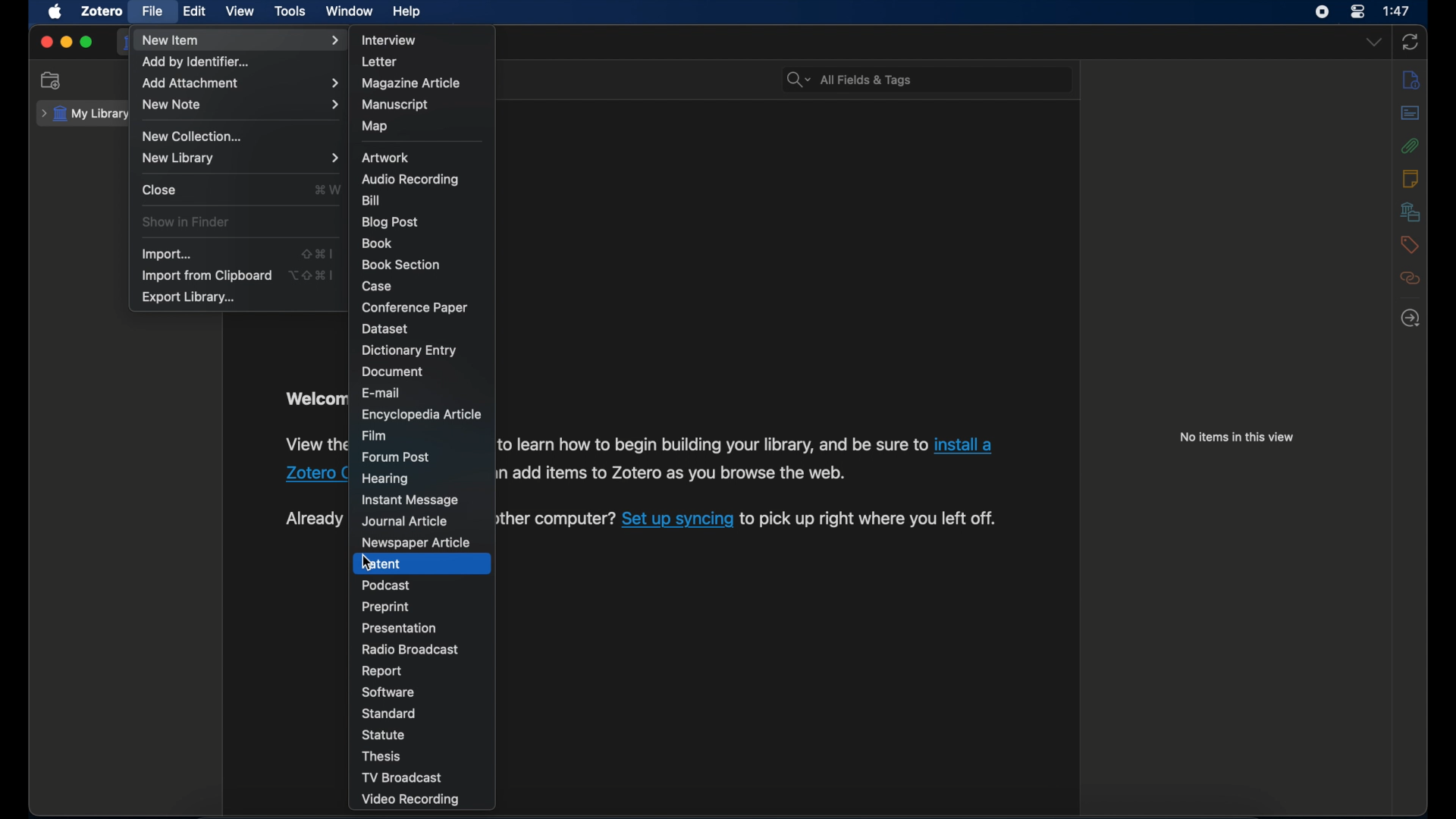 The width and height of the screenshot is (1456, 819). I want to click on report, so click(381, 671).